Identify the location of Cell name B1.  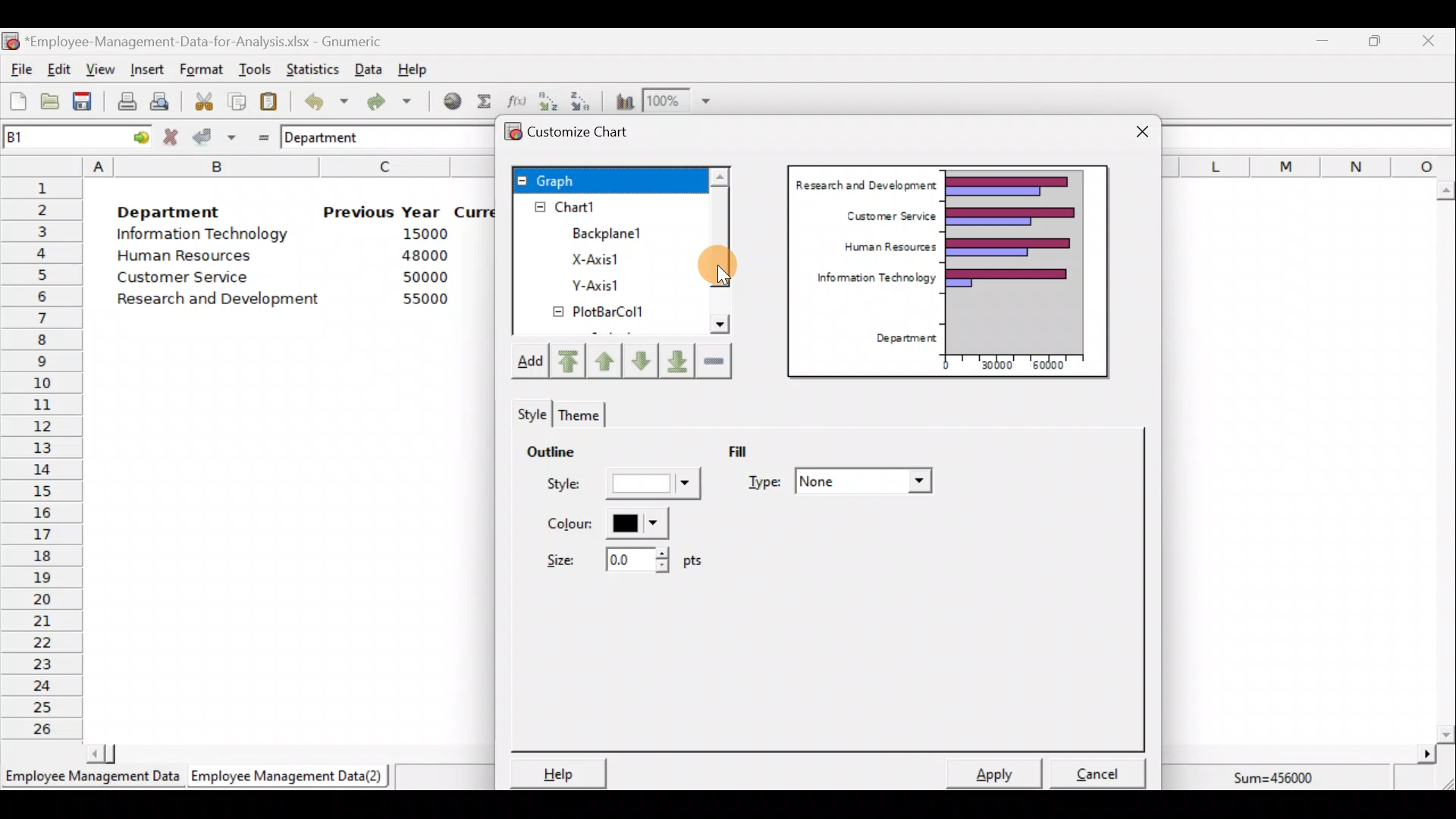
(50, 136).